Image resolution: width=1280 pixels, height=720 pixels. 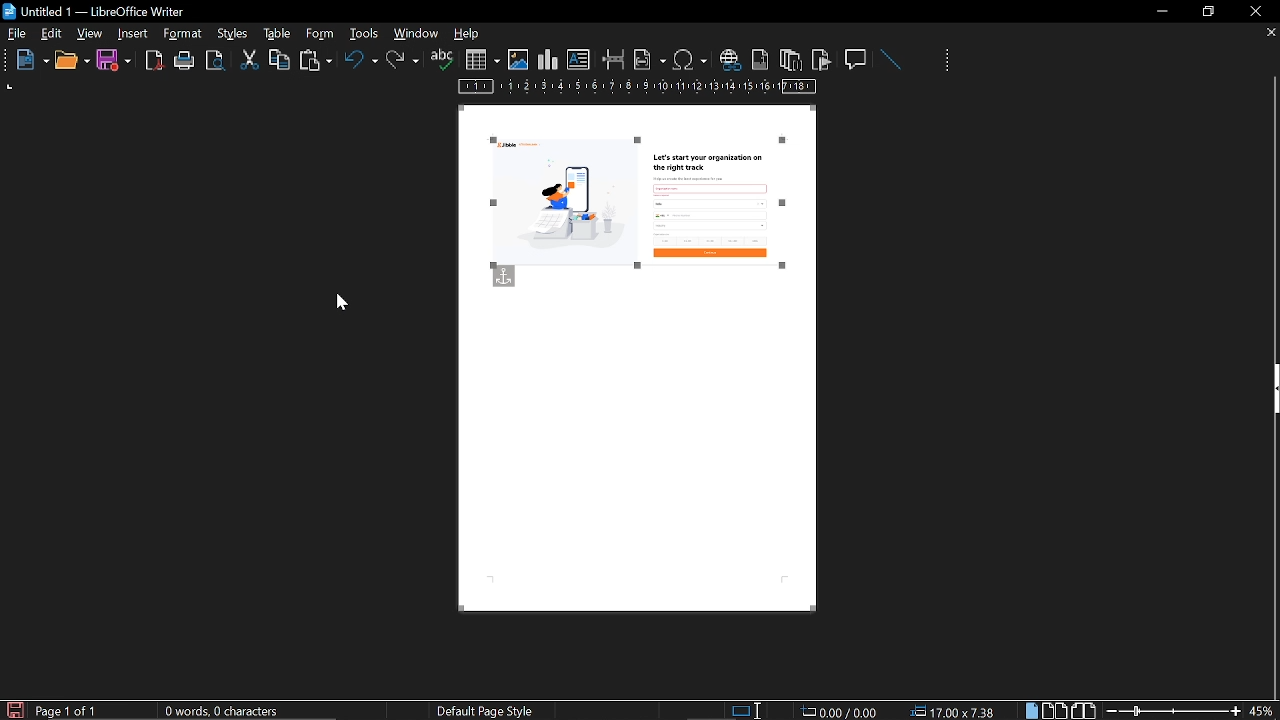 What do you see at coordinates (842, 710) in the screenshot?
I see `0.00 / 0.00` at bounding box center [842, 710].